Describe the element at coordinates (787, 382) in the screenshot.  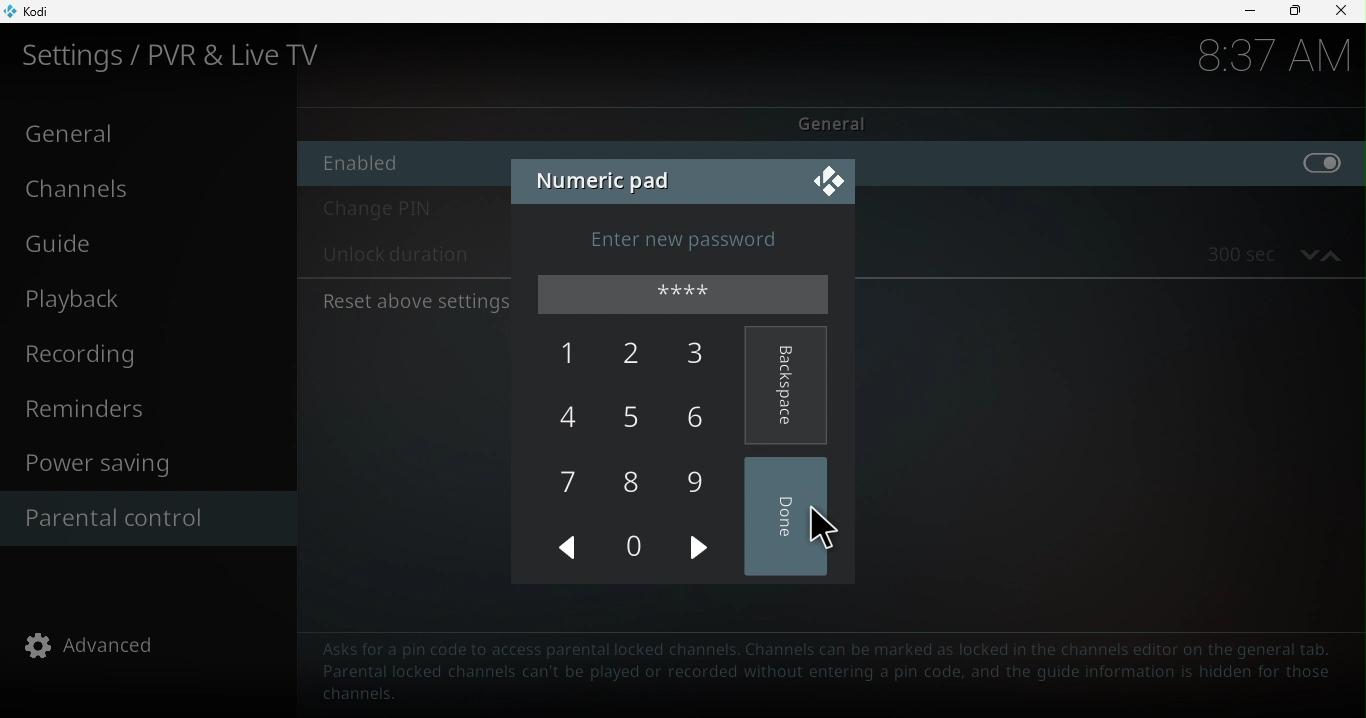
I see `Backspace` at that location.